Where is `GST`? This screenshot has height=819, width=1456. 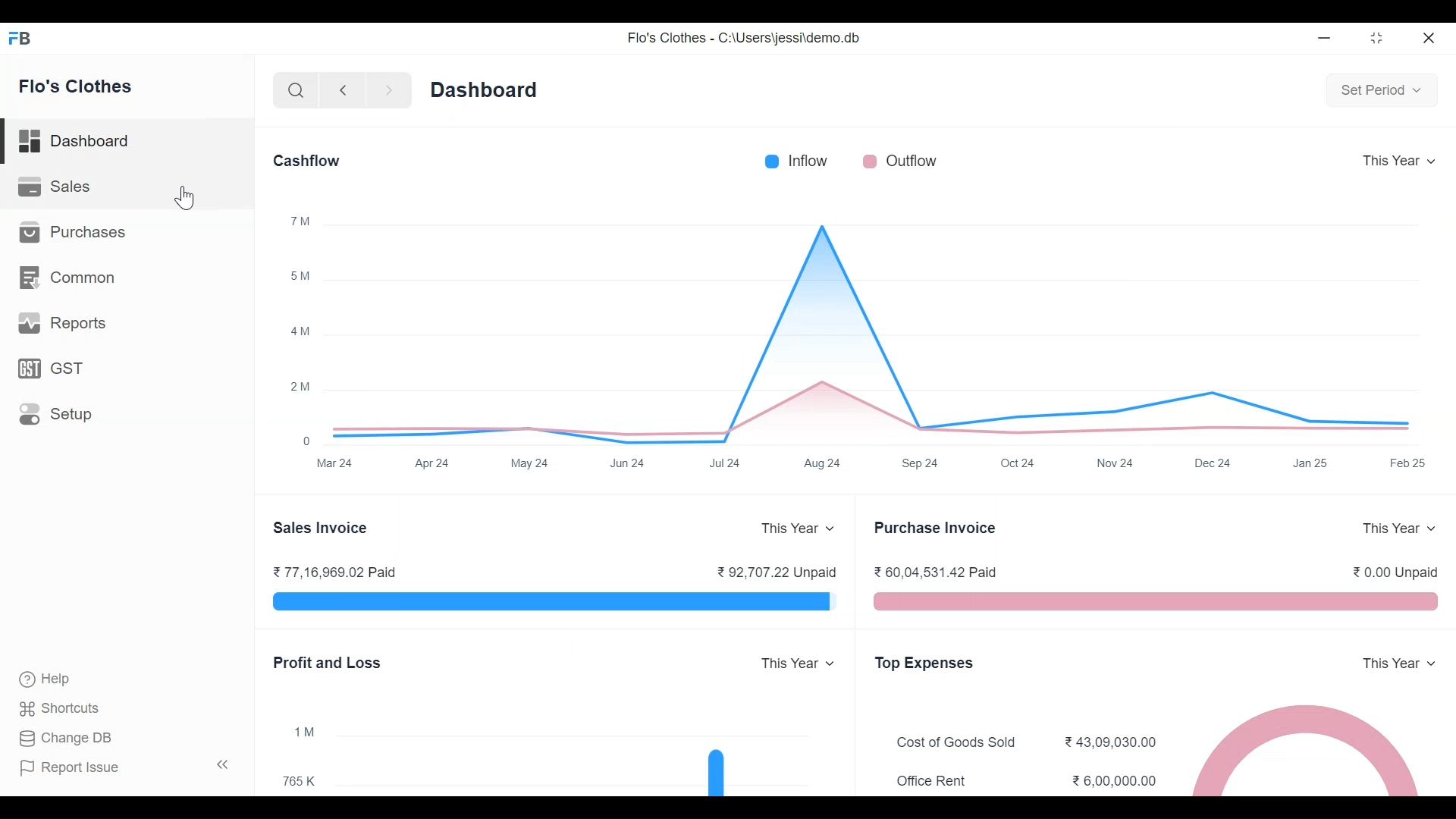
GST is located at coordinates (52, 369).